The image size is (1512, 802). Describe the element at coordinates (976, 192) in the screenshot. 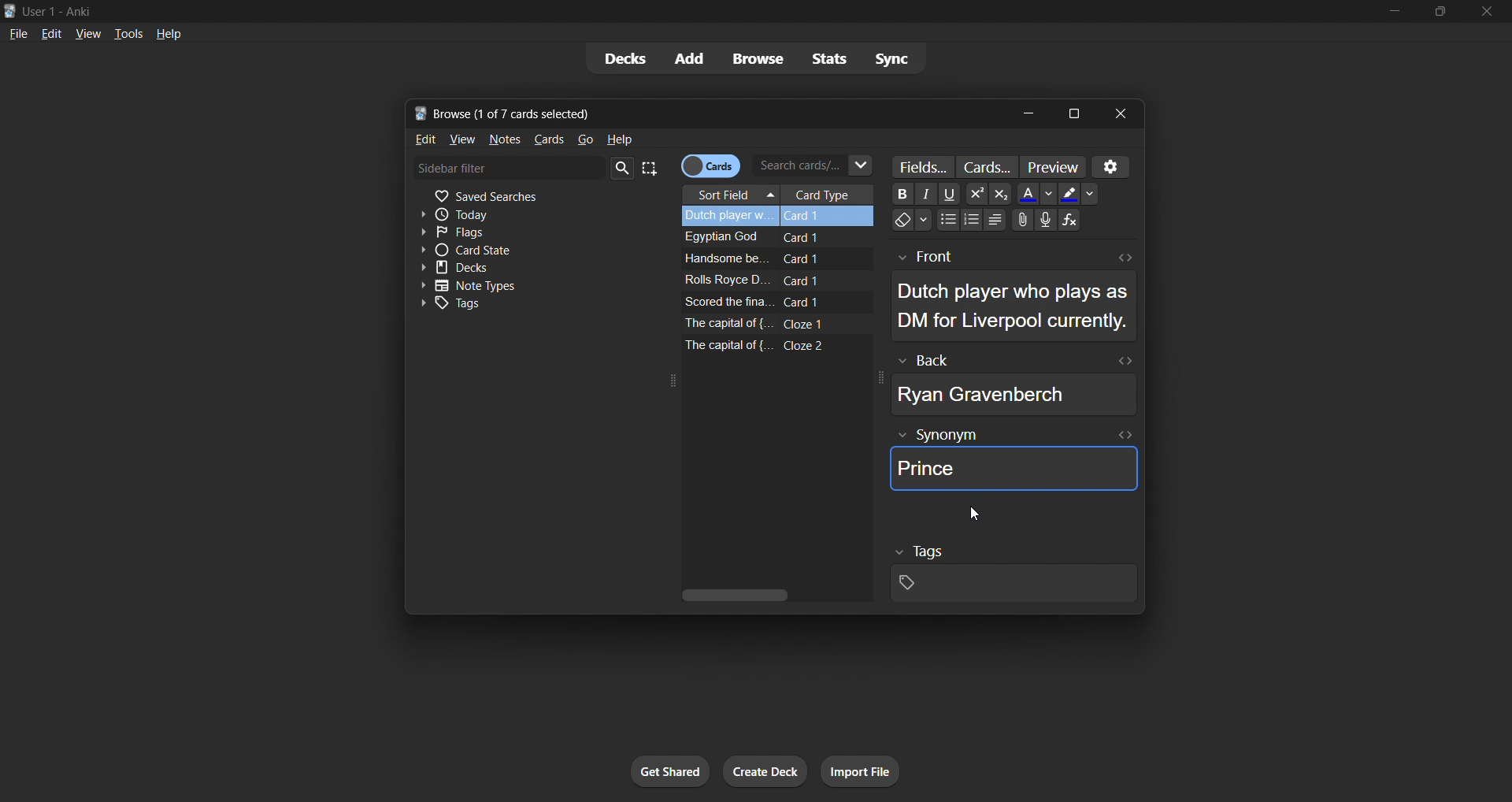

I see `Power` at that location.